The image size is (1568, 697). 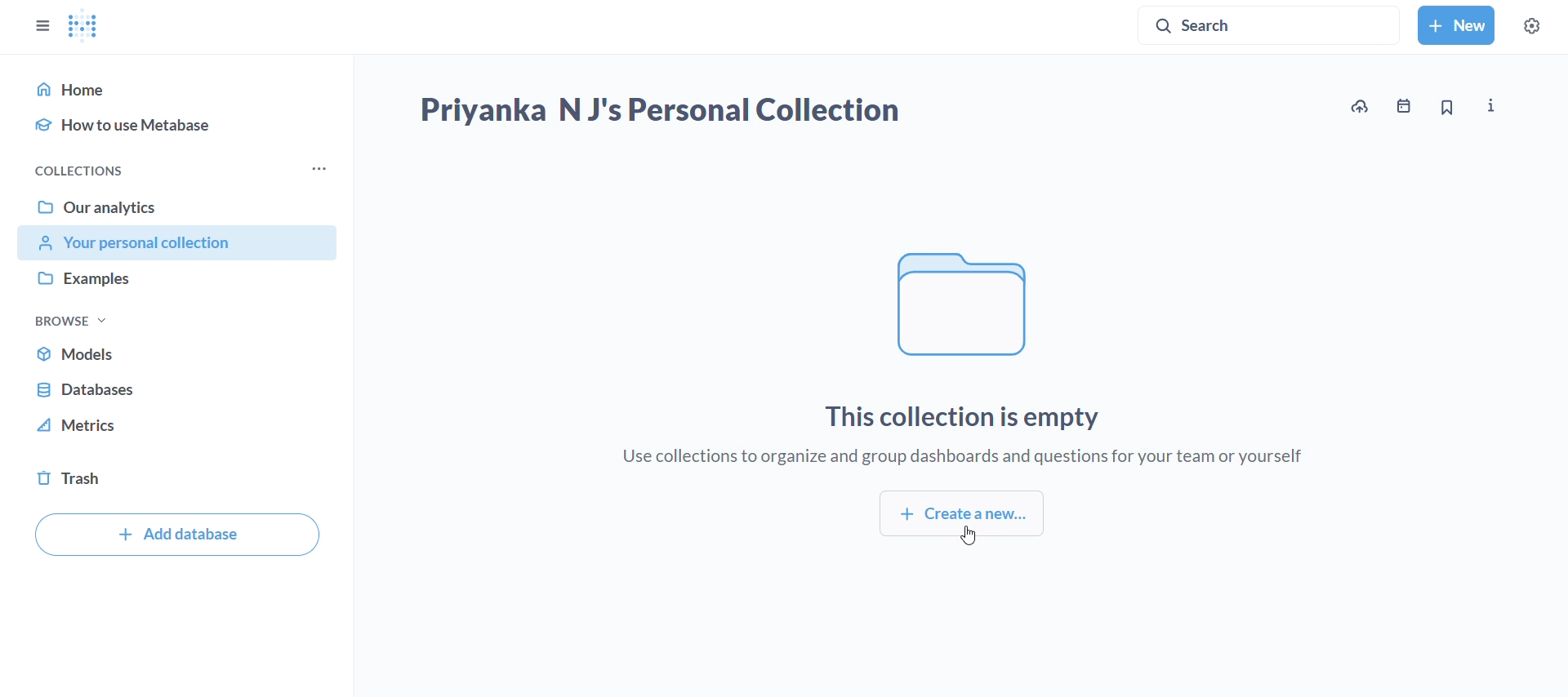 I want to click on examples, so click(x=176, y=279).